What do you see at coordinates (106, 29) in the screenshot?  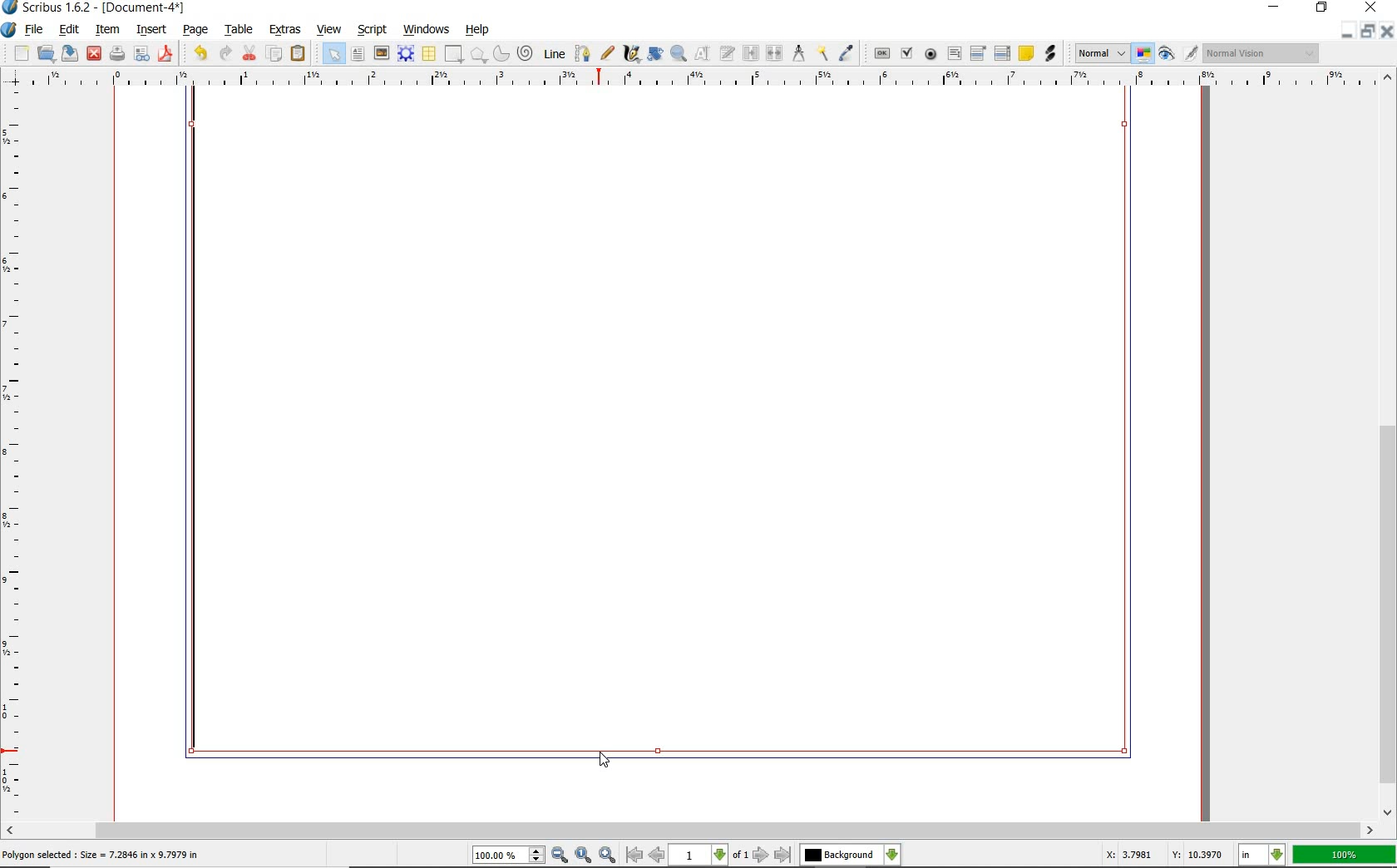 I see `item` at bounding box center [106, 29].